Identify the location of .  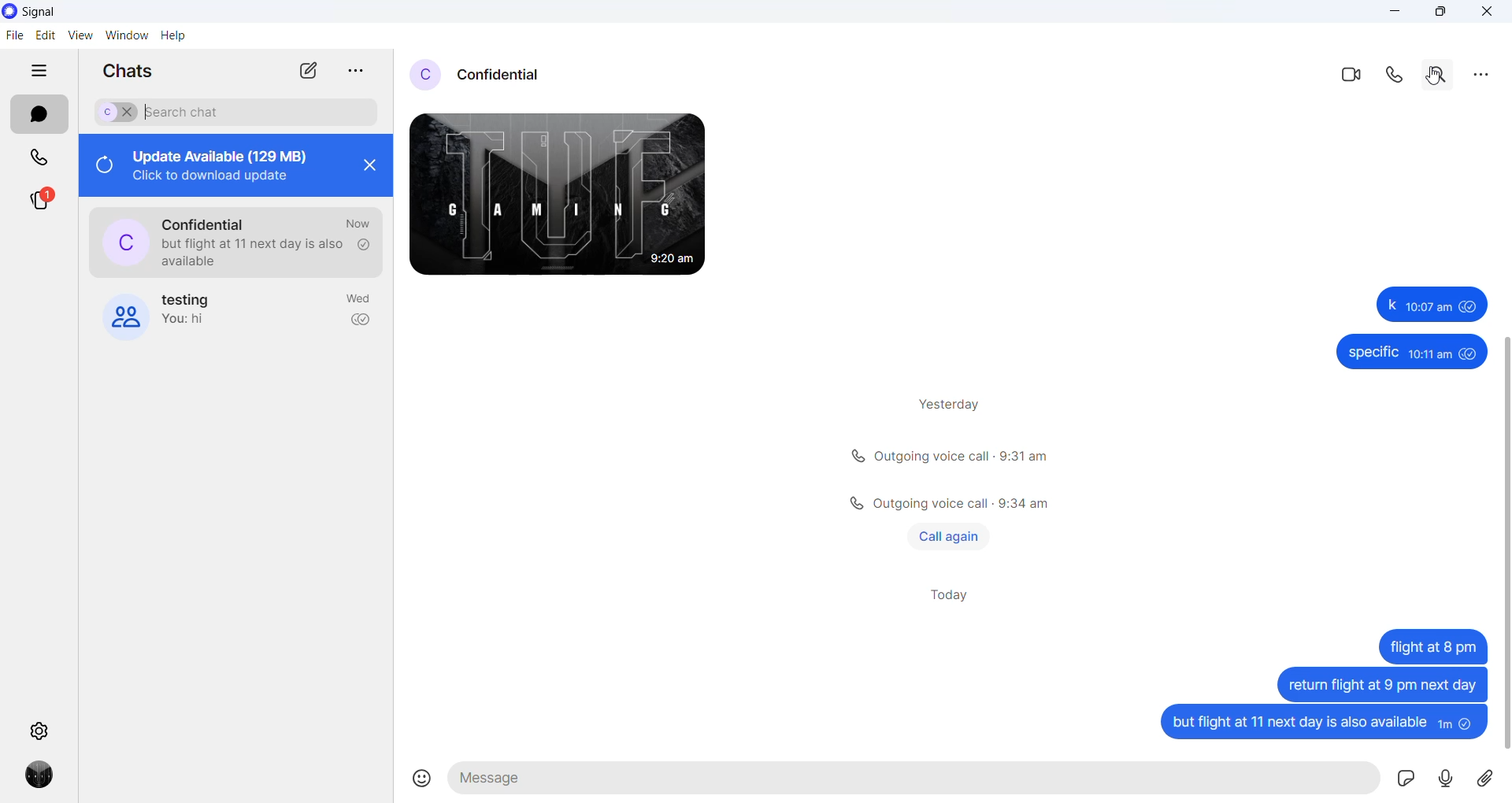
(1432, 646).